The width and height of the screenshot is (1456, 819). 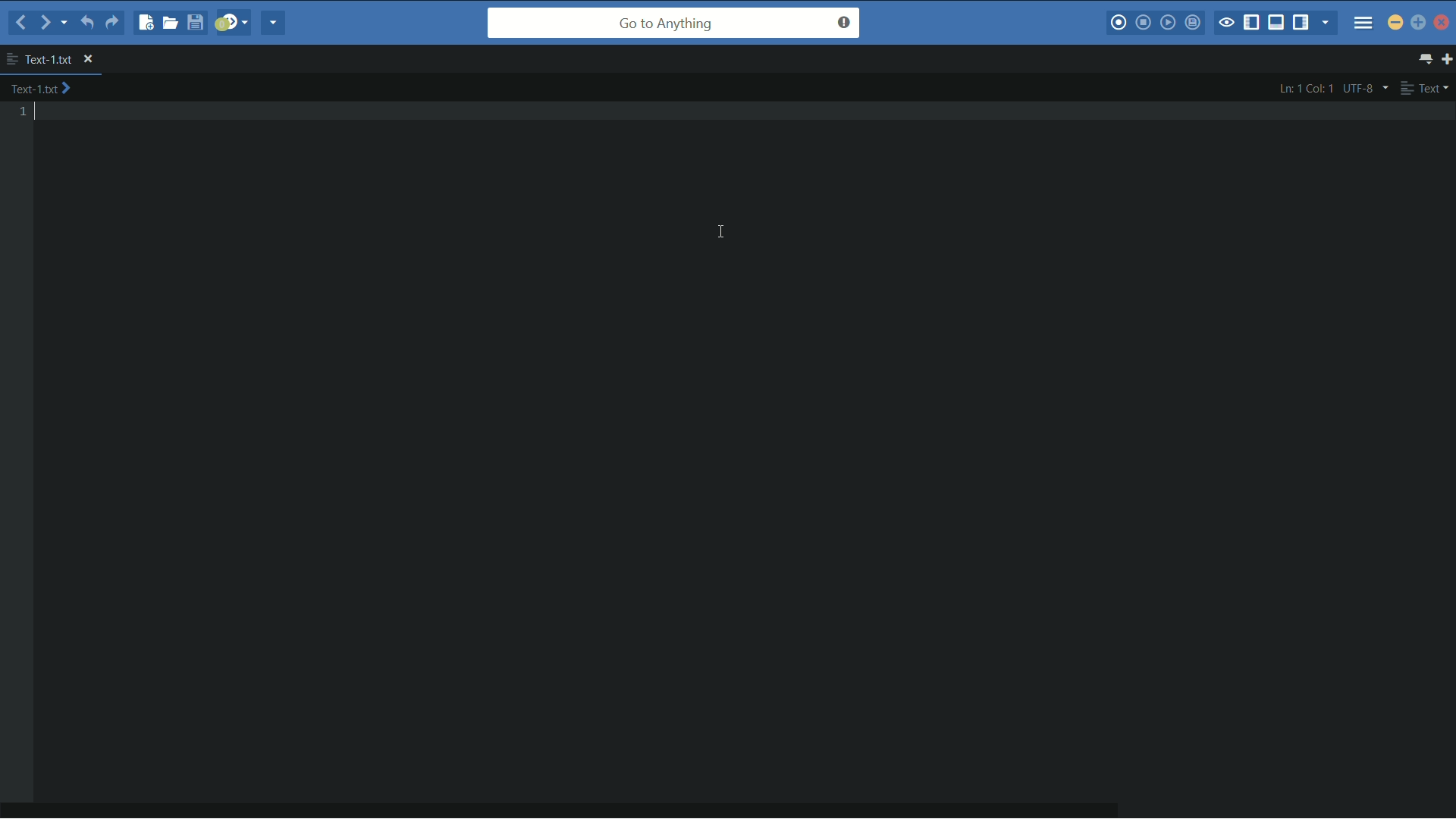 I want to click on show/hide left panel, so click(x=1252, y=24).